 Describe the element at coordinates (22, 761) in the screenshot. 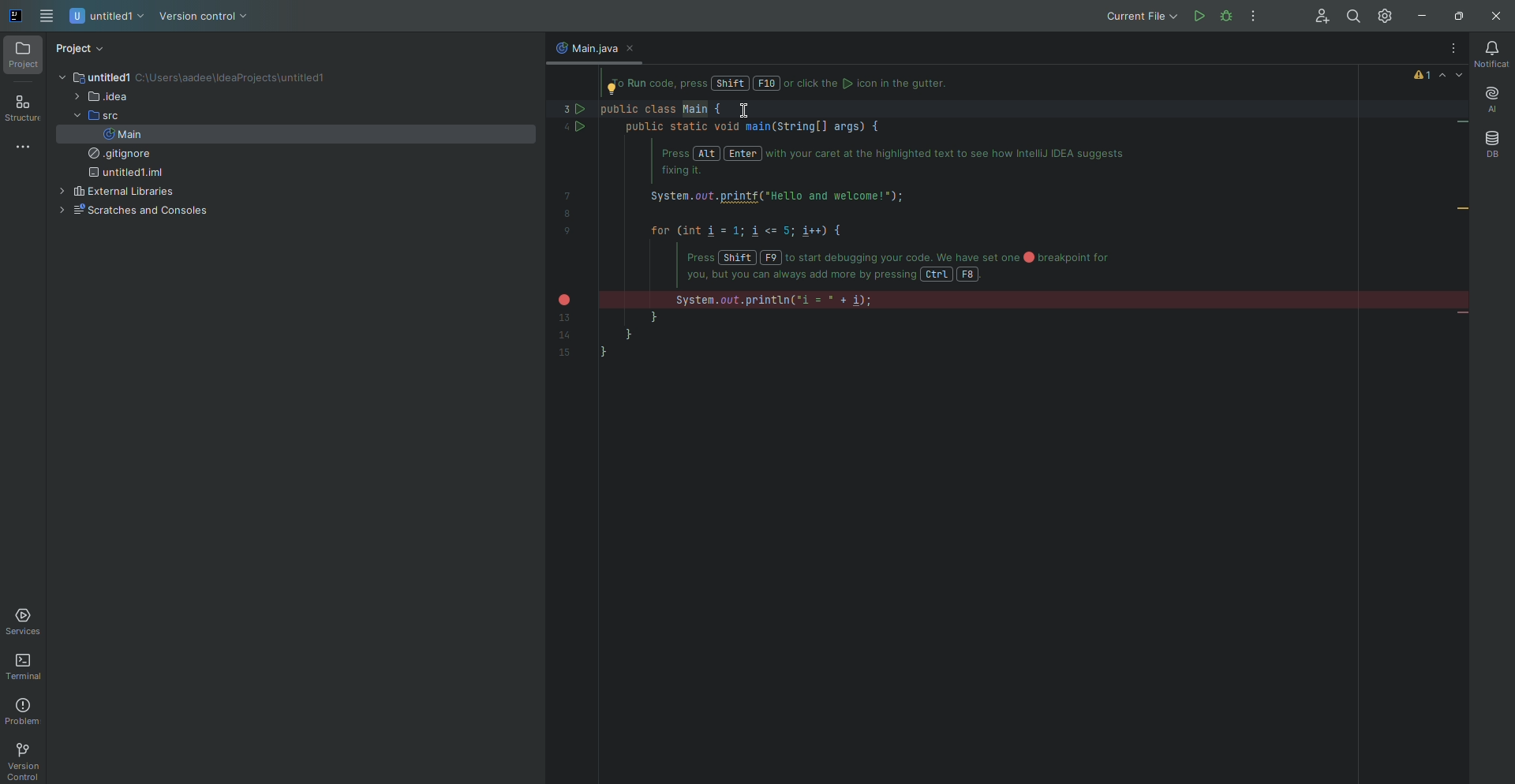

I see `Version Control` at that location.